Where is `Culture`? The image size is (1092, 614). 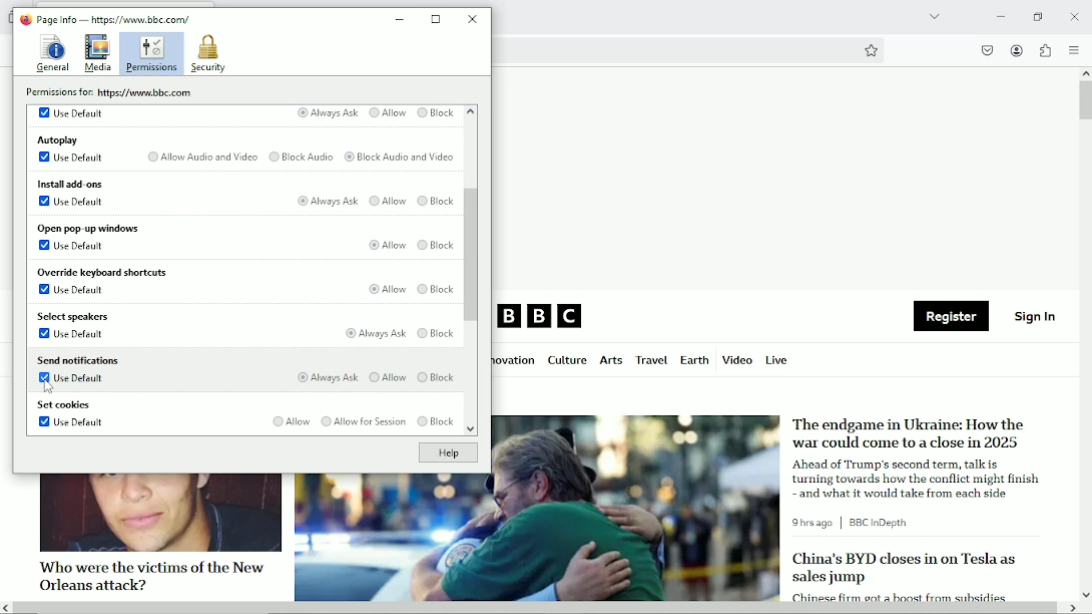
Culture is located at coordinates (567, 361).